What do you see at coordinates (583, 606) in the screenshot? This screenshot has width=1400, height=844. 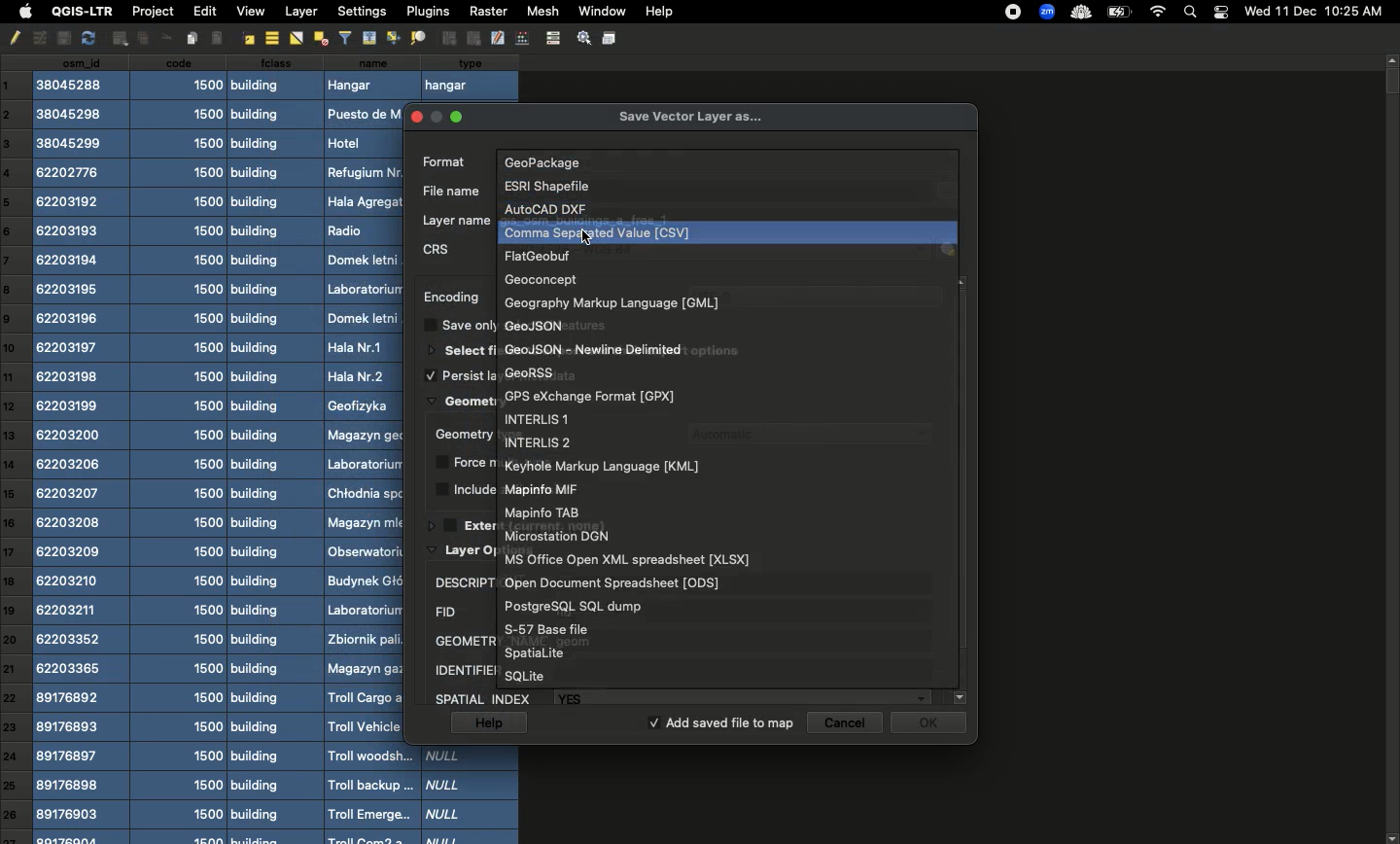 I see `Format` at bounding box center [583, 606].